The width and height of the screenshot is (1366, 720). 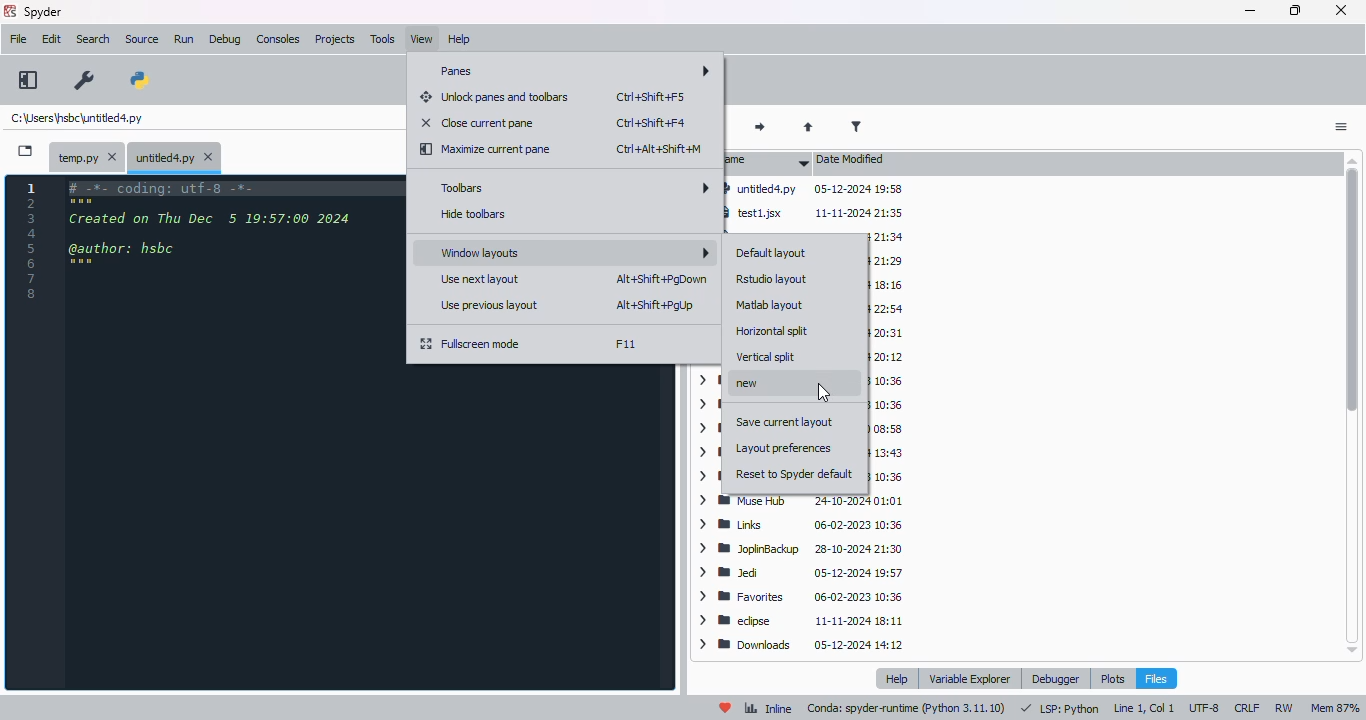 I want to click on Links, so click(x=803, y=526).